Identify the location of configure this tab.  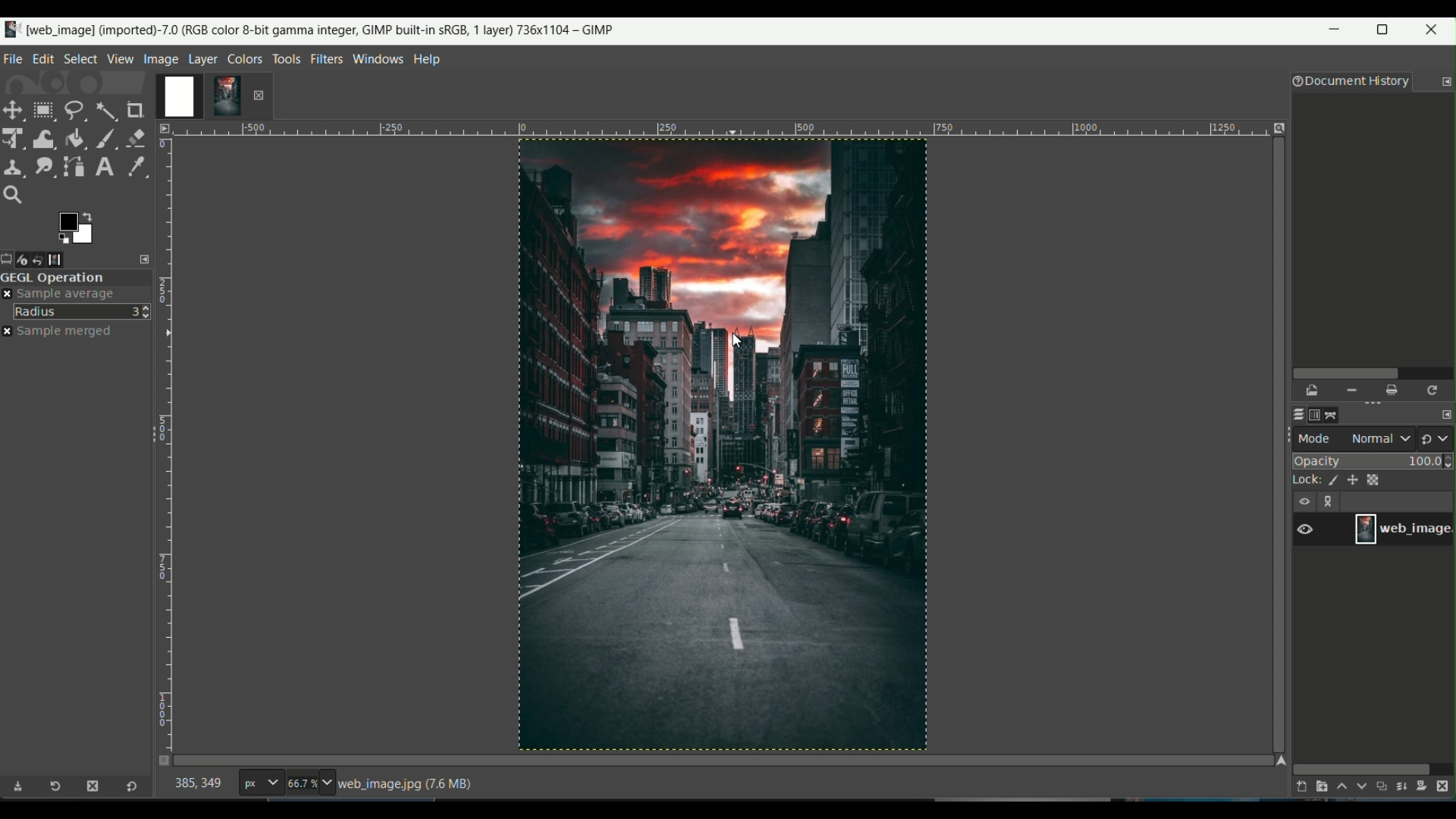
(146, 259).